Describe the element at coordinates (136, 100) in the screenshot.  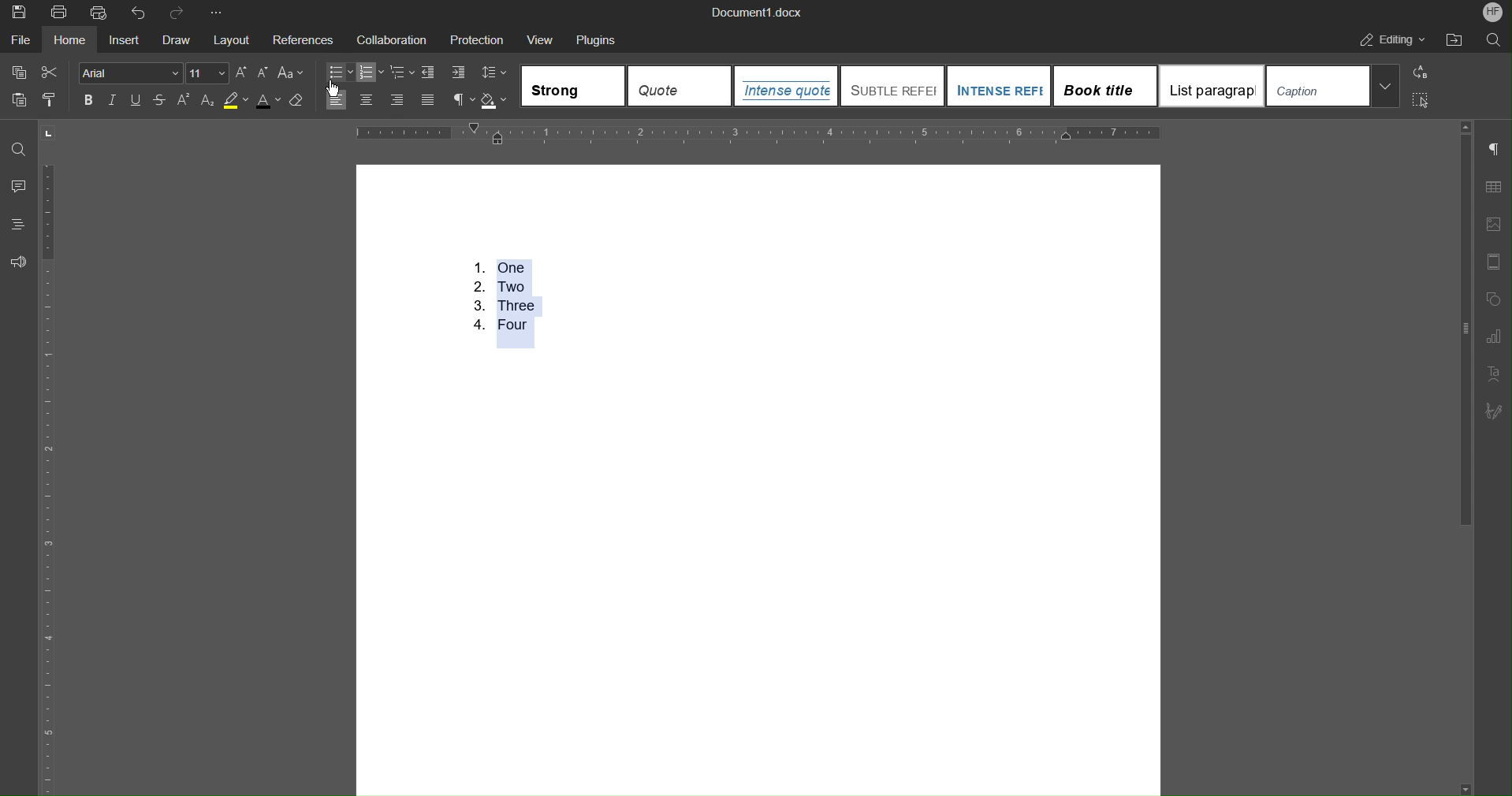
I see `Underline` at that location.